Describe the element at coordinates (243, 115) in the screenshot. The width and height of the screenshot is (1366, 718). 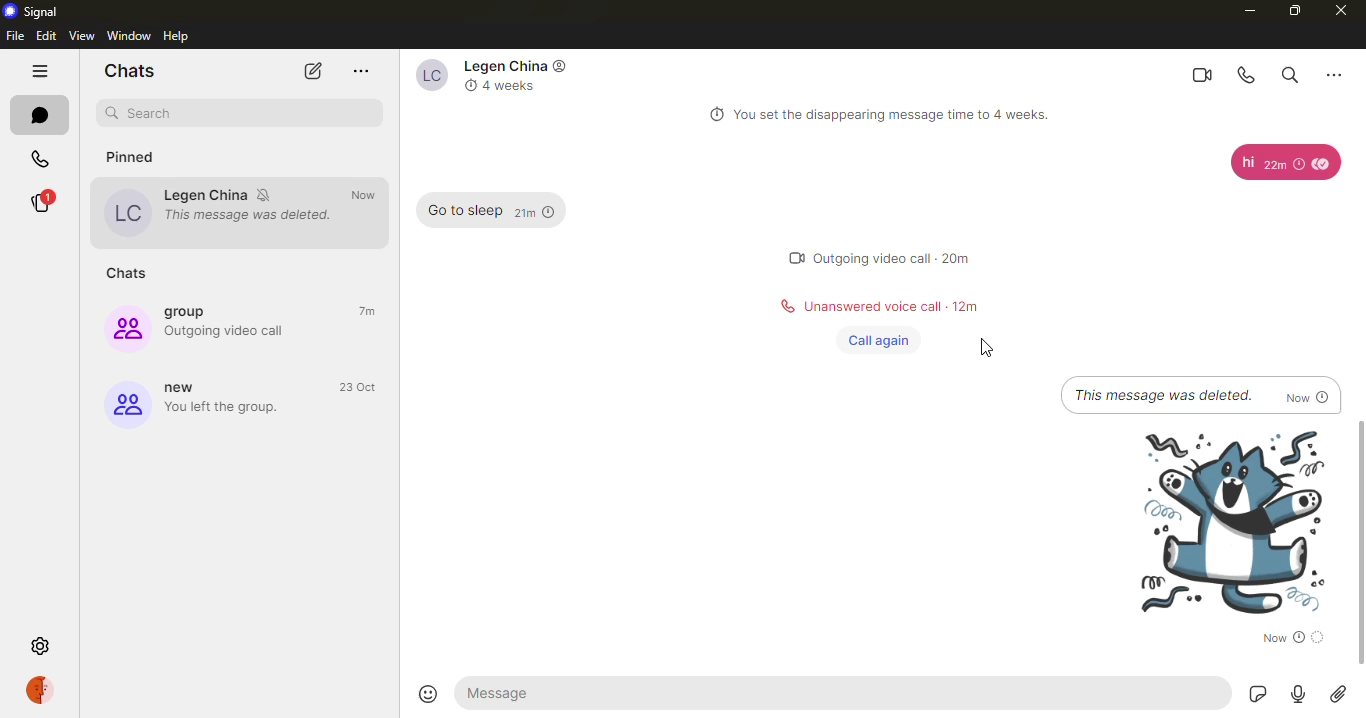
I see `search ` at that location.